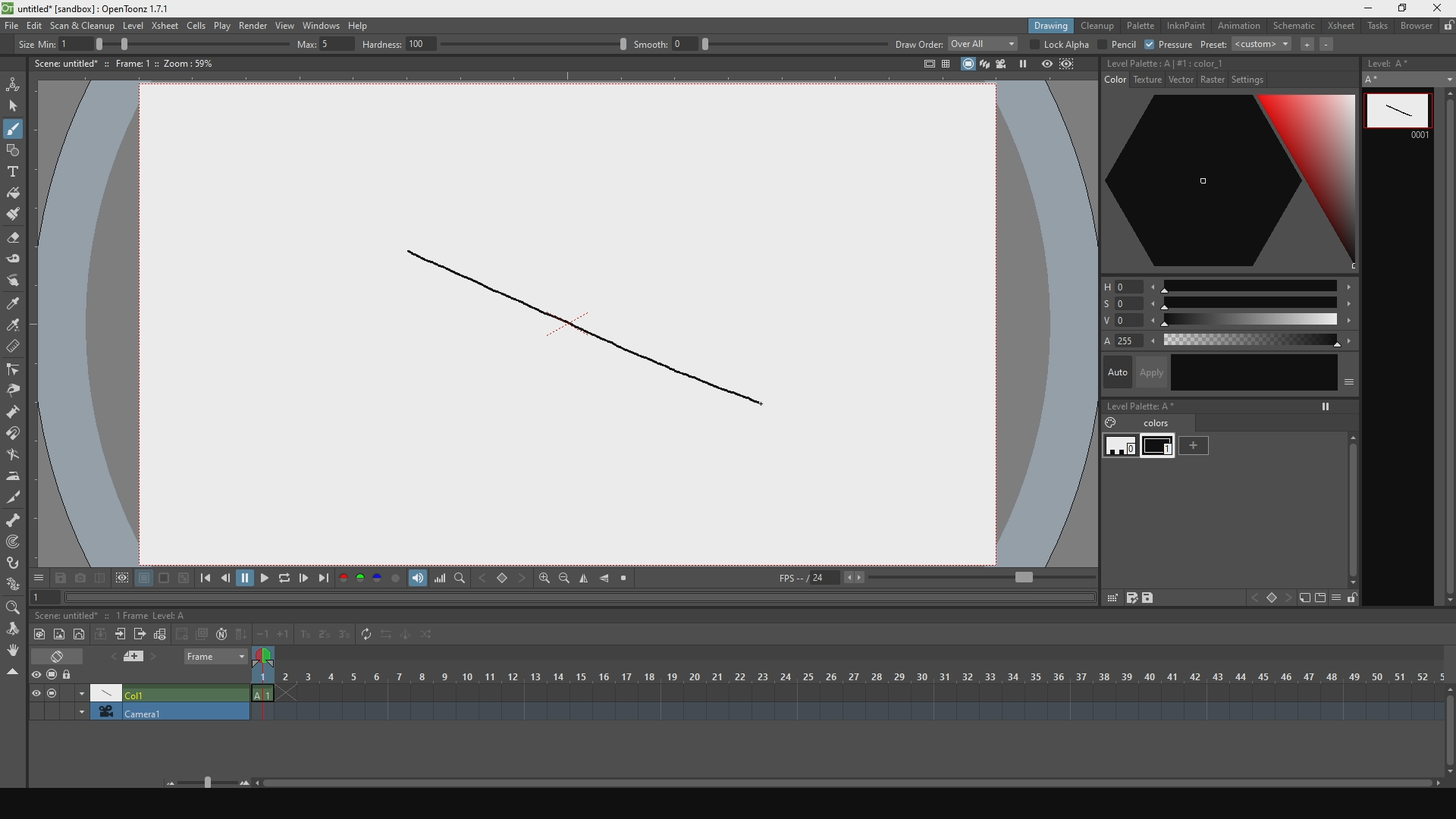 Image resolution: width=1456 pixels, height=819 pixels. I want to click on 1 frame level: A, so click(154, 614).